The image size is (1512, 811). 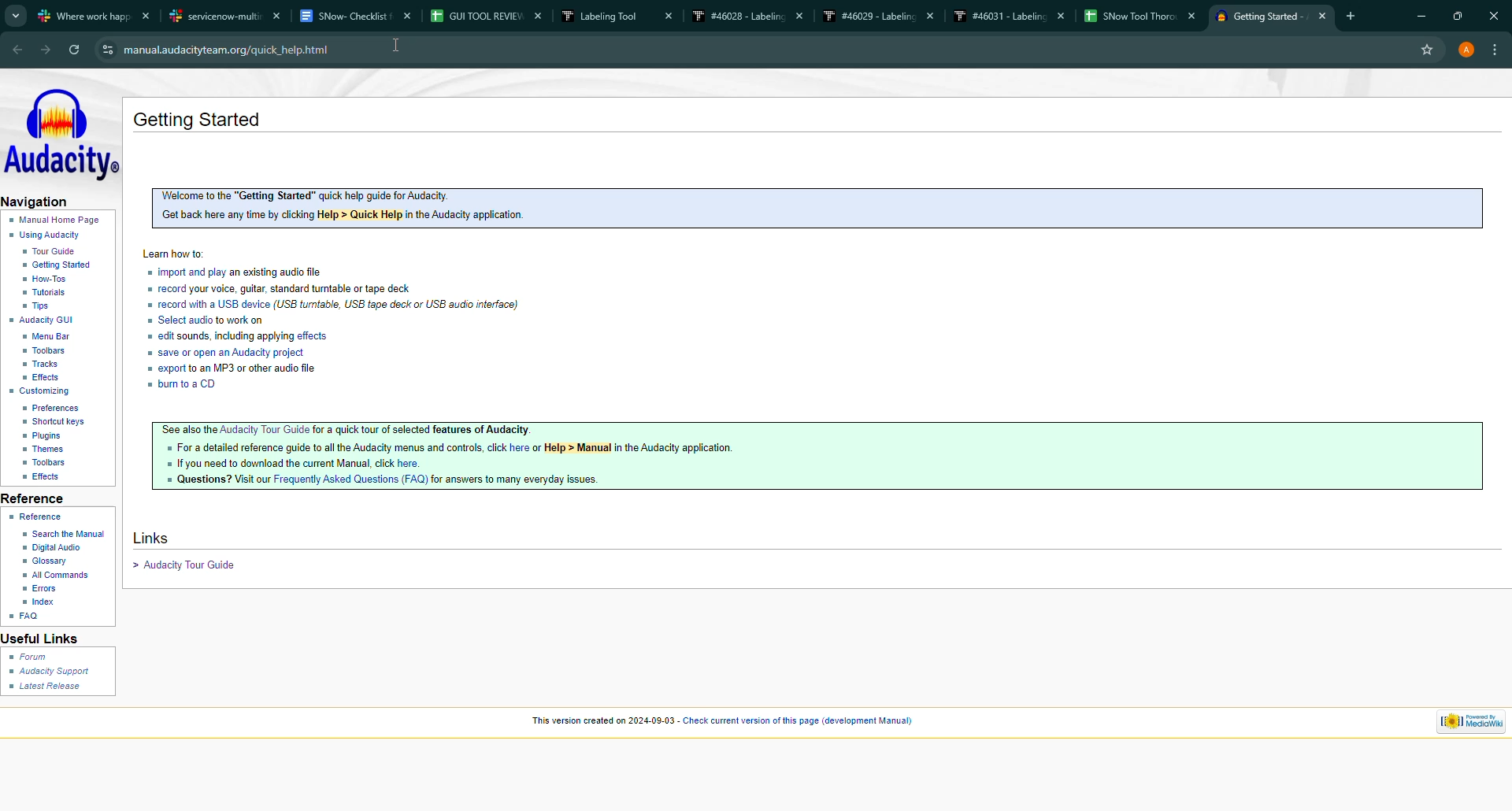 What do you see at coordinates (50, 687) in the screenshot?
I see `latest release` at bounding box center [50, 687].